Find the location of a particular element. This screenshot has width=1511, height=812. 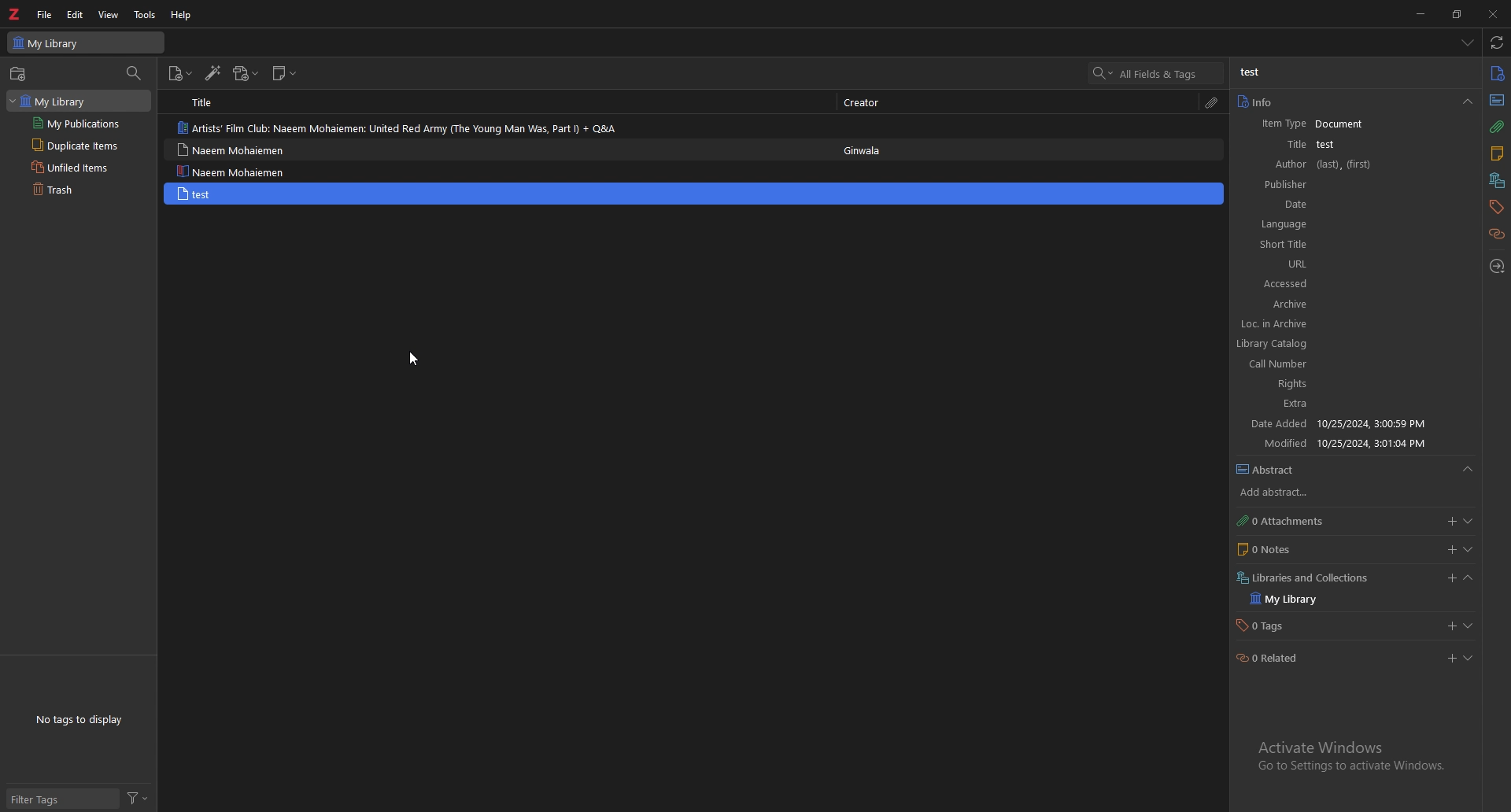

Filter is located at coordinates (142, 798).